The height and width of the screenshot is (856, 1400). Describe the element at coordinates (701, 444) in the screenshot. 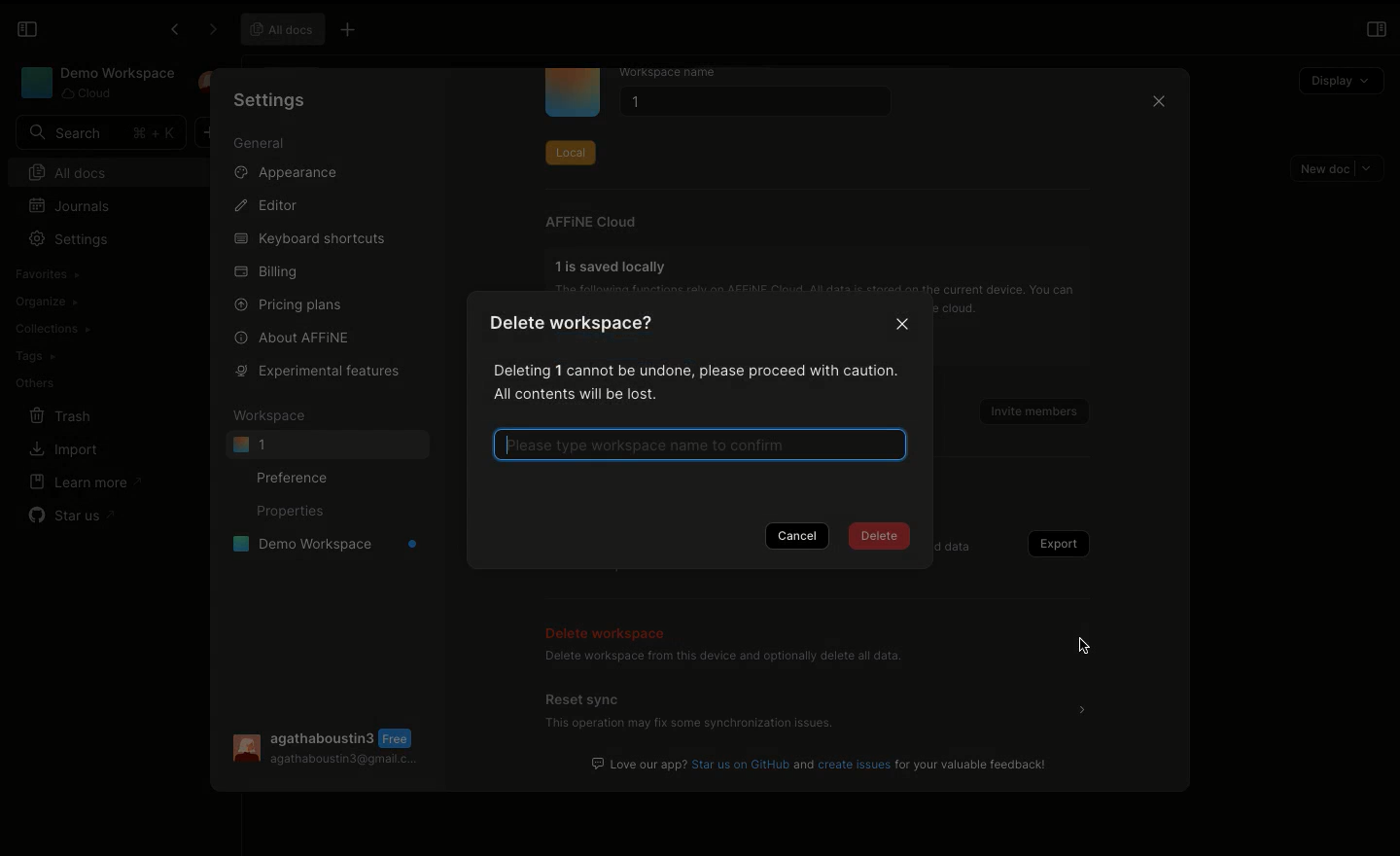

I see `Workspace name` at that location.